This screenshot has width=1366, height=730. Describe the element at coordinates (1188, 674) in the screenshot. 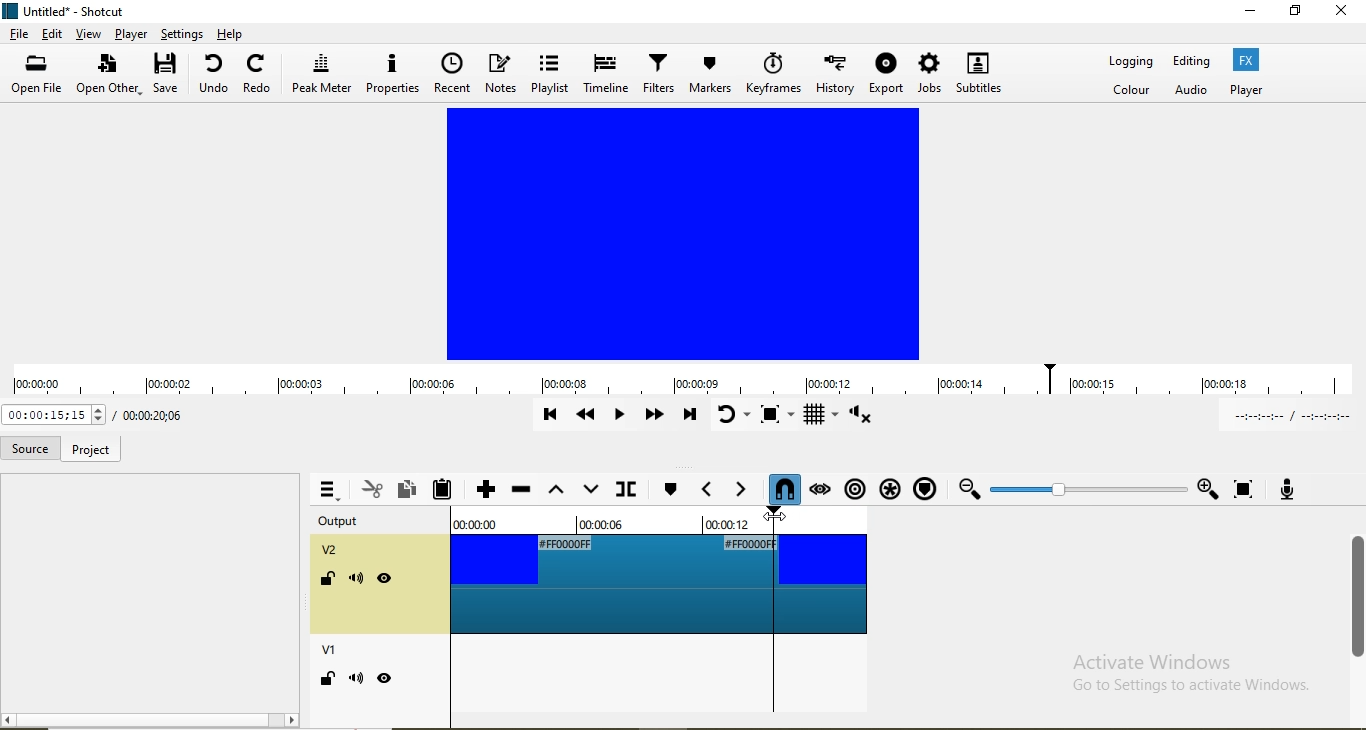

I see `Activate Windows
Go to Settings to activate Windows.` at that location.